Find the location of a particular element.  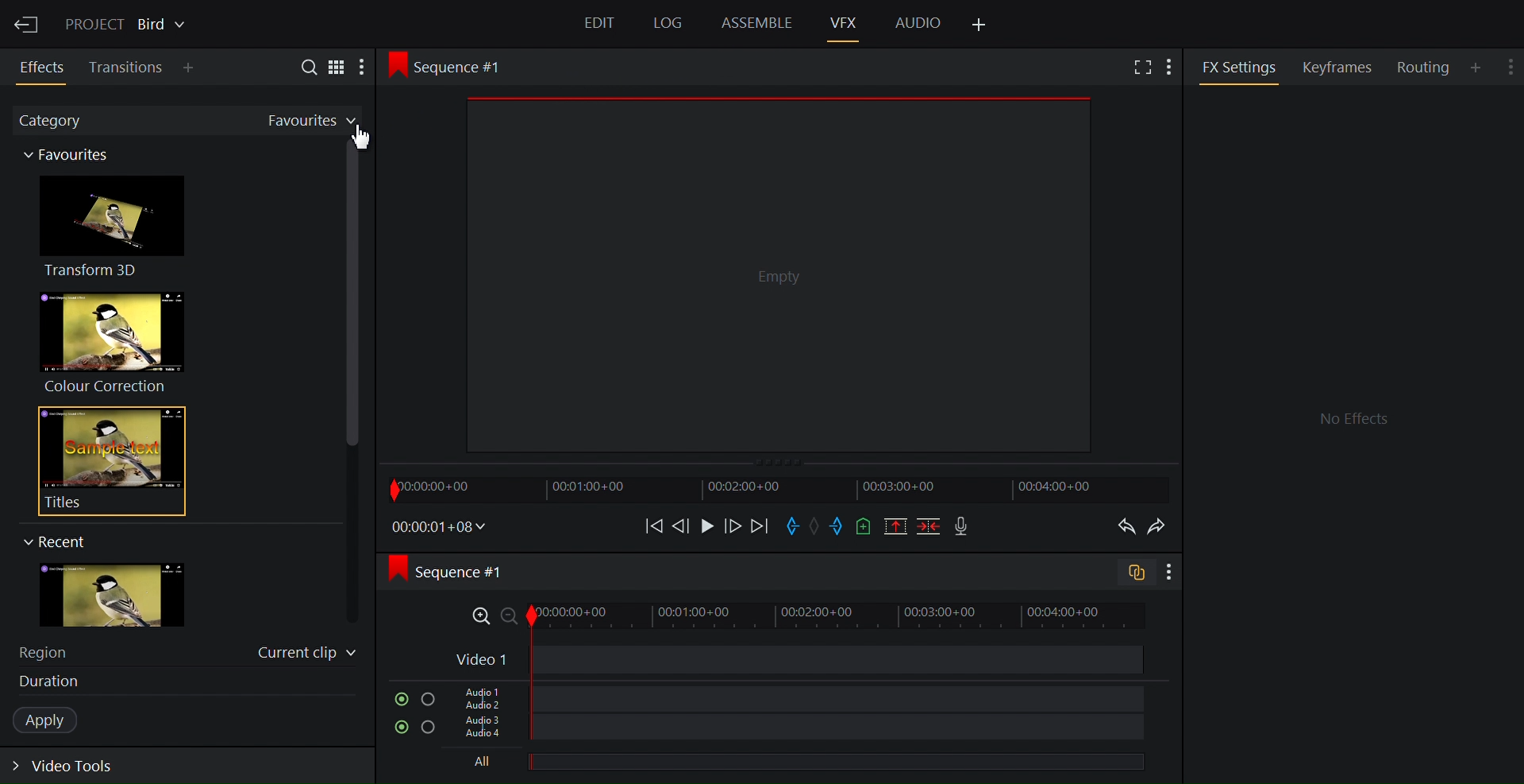

Recent is located at coordinates (67, 540).